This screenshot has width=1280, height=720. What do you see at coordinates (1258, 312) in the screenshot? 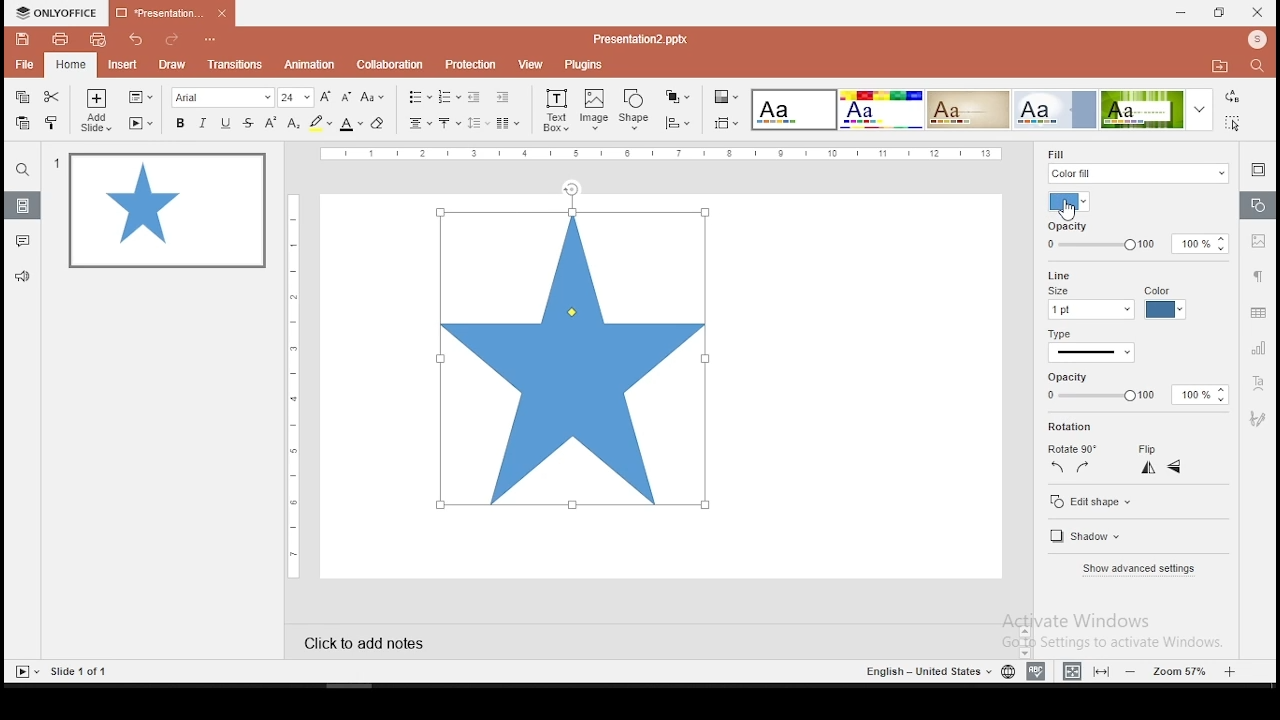
I see `table settings` at bounding box center [1258, 312].